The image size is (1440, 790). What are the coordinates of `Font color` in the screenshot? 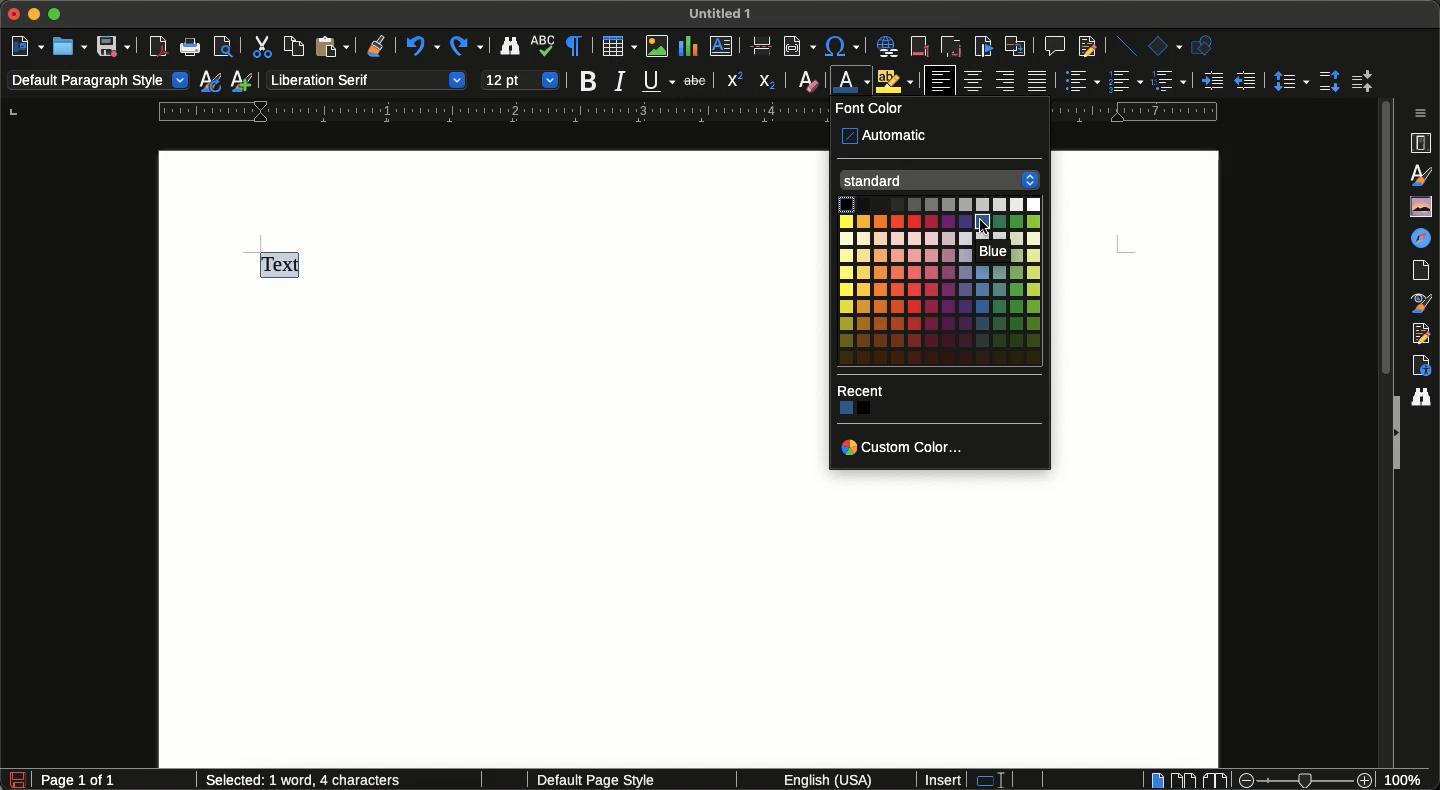 It's located at (874, 109).